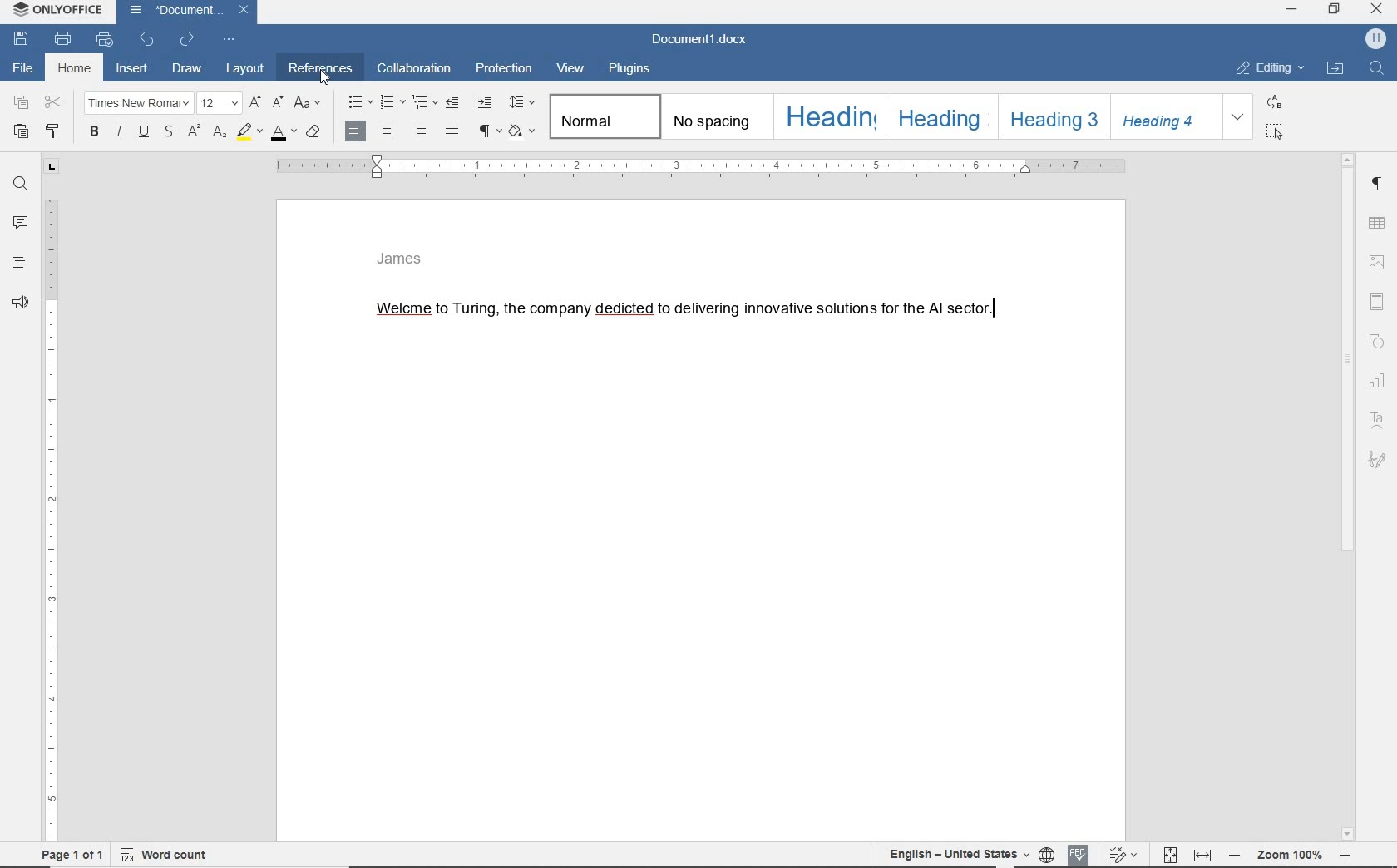 The width and height of the screenshot is (1397, 868). What do you see at coordinates (452, 132) in the screenshot?
I see `justified` at bounding box center [452, 132].